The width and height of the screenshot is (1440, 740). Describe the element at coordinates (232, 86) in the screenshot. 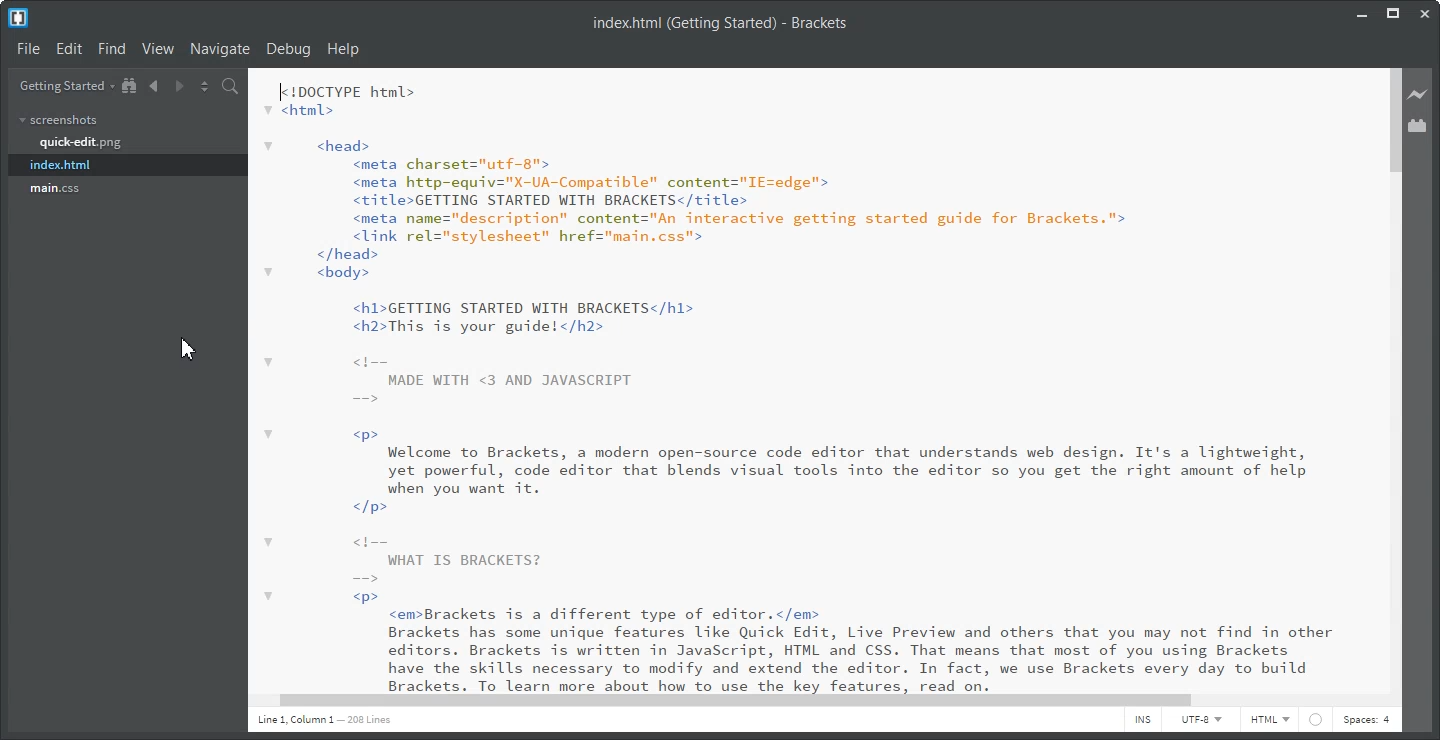

I see `Find in Files` at that location.